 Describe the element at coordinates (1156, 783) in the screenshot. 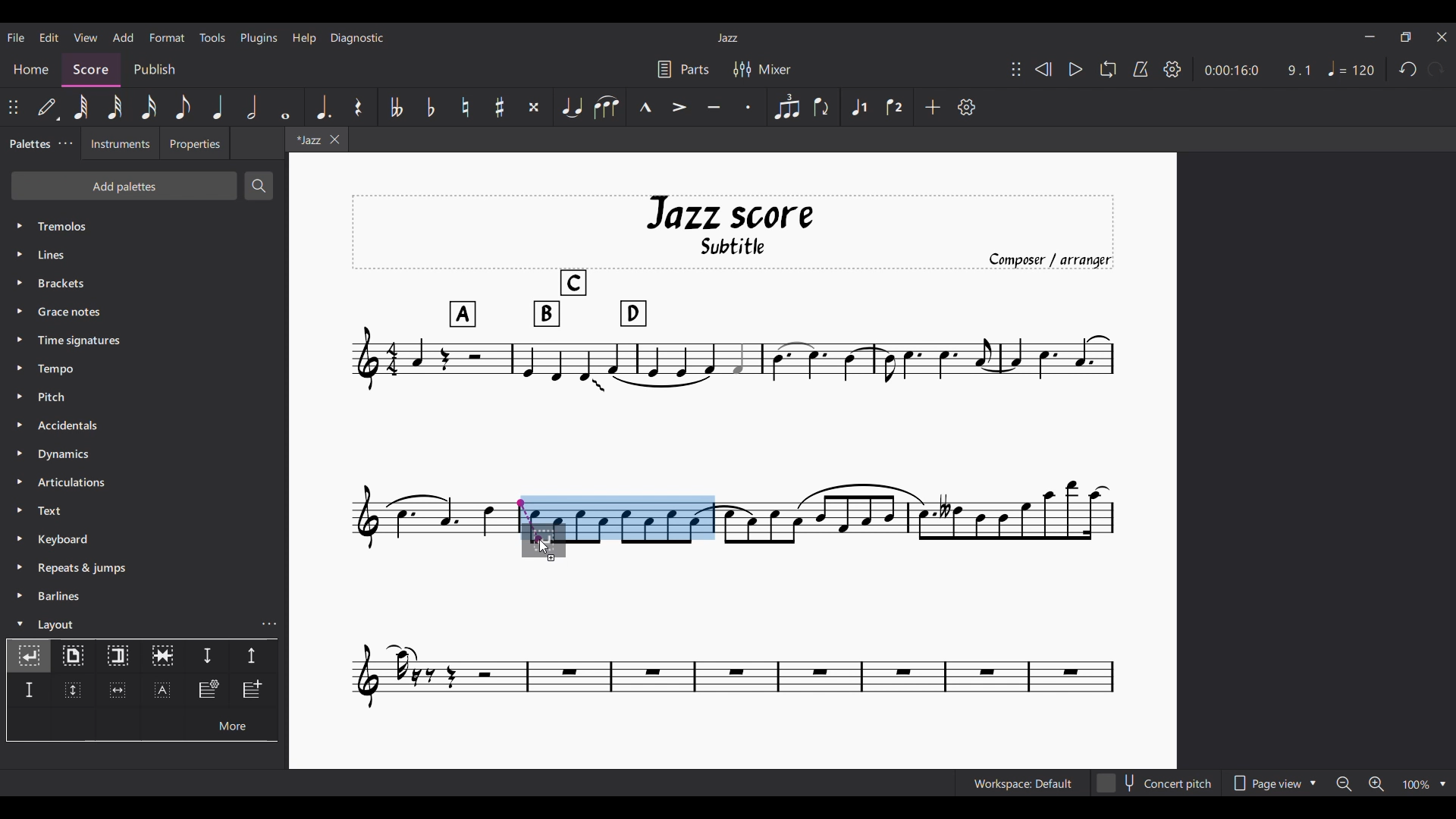

I see `Concert pitch toggle` at that location.